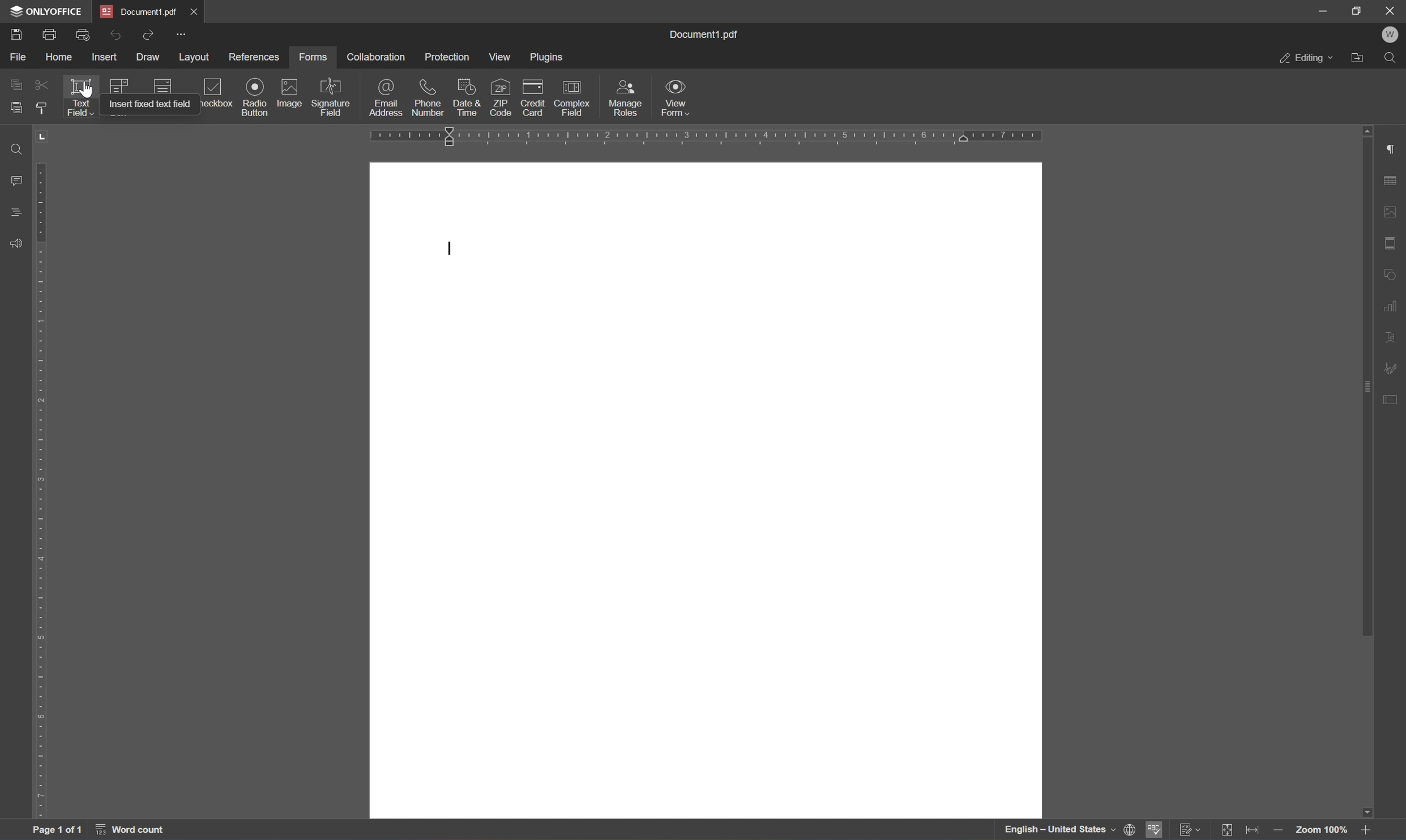 The width and height of the screenshot is (1406, 840). I want to click on zip code, so click(500, 97).